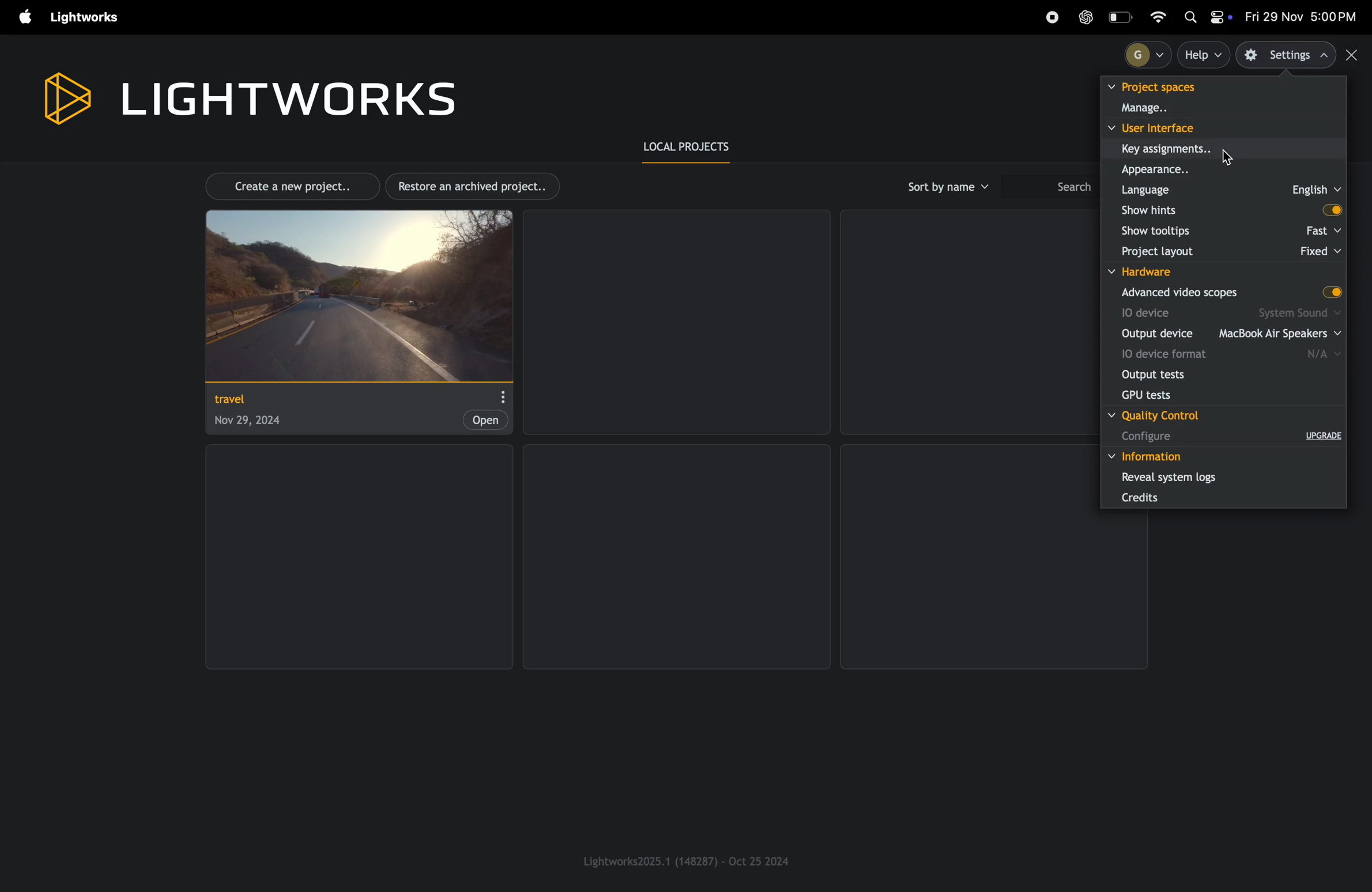 The image size is (1372, 892). What do you see at coordinates (1167, 149) in the screenshot?
I see `key assignments` at bounding box center [1167, 149].